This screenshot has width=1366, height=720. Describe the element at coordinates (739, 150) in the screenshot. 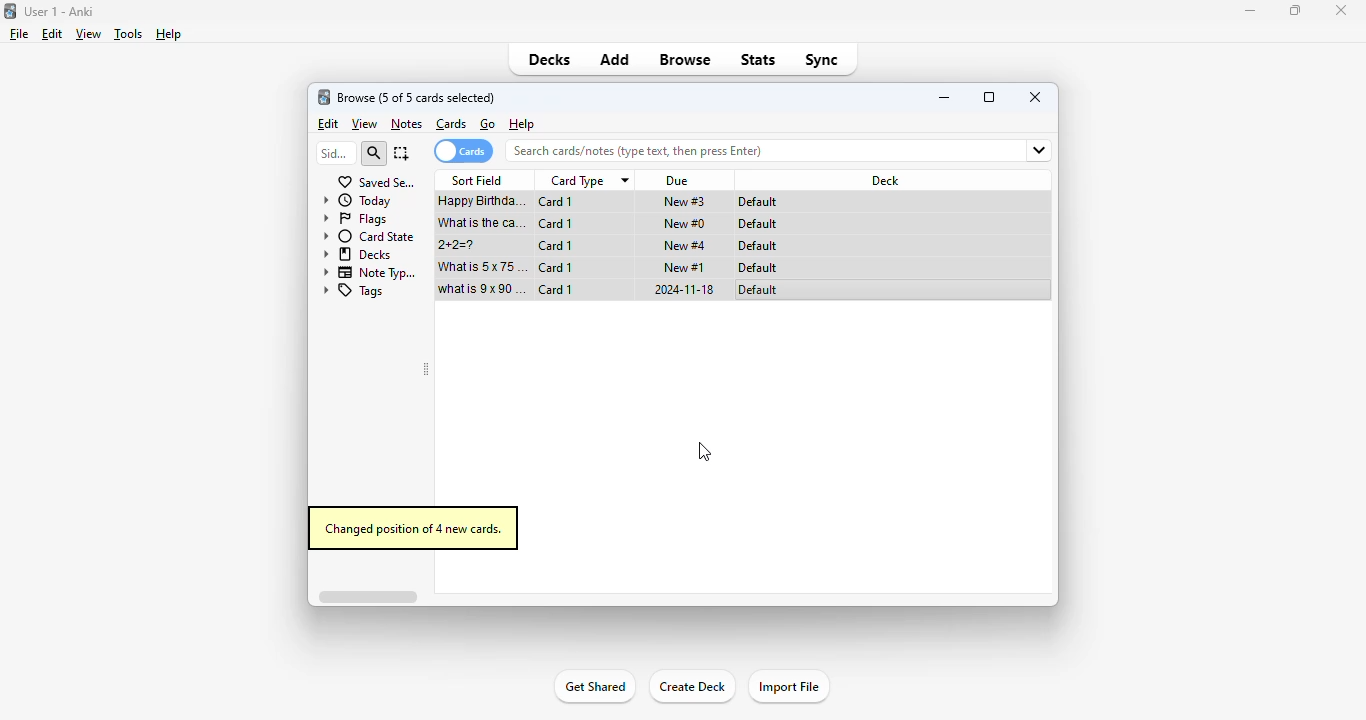

I see `search bar` at that location.